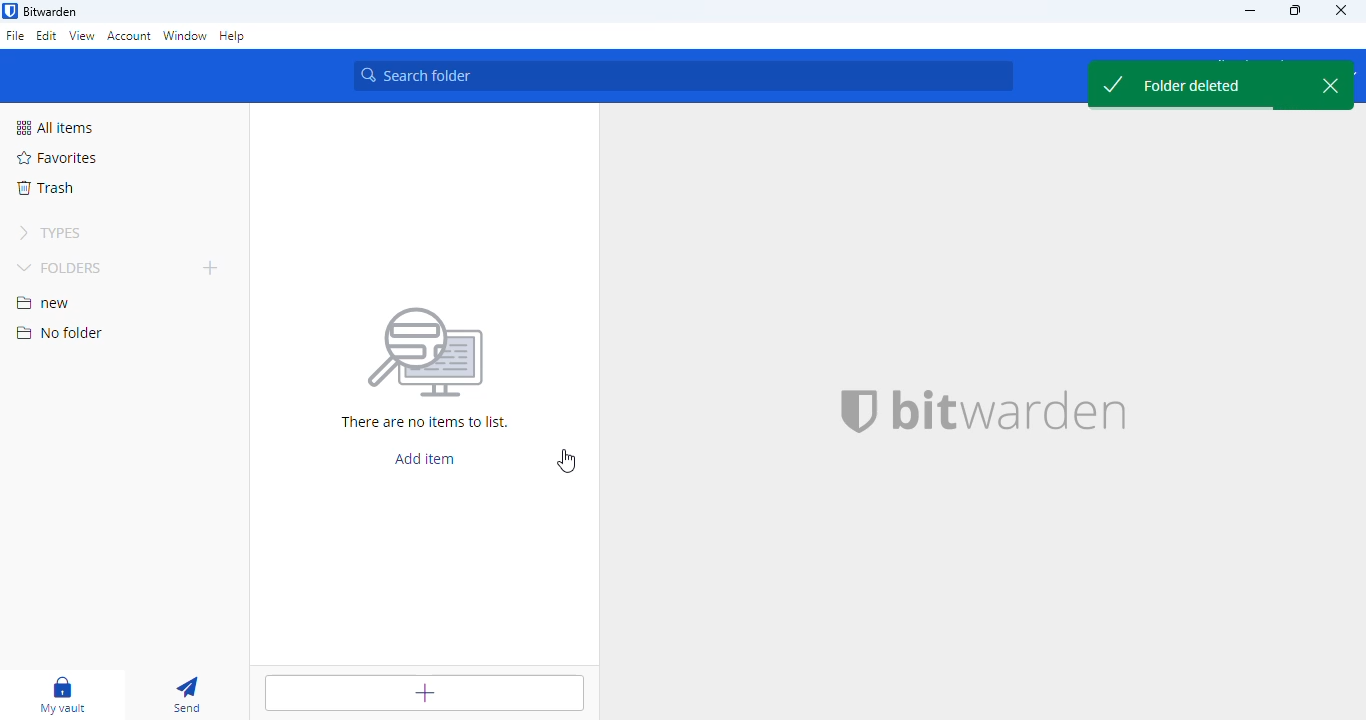 The width and height of the screenshot is (1366, 720). I want to click on cursor, so click(567, 462).